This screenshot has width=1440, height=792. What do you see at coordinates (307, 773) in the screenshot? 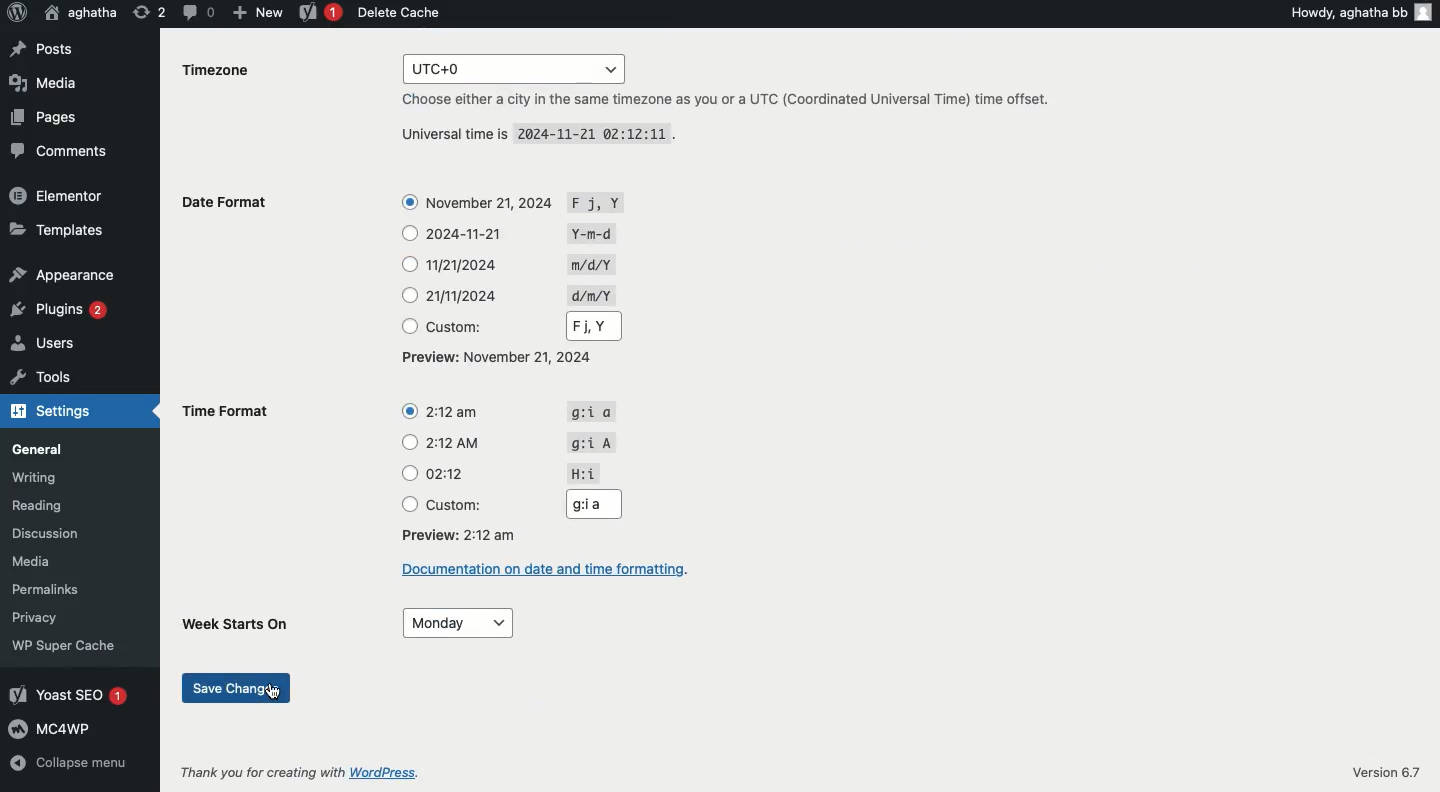
I see `Thank you for creating with WordPress.` at bounding box center [307, 773].